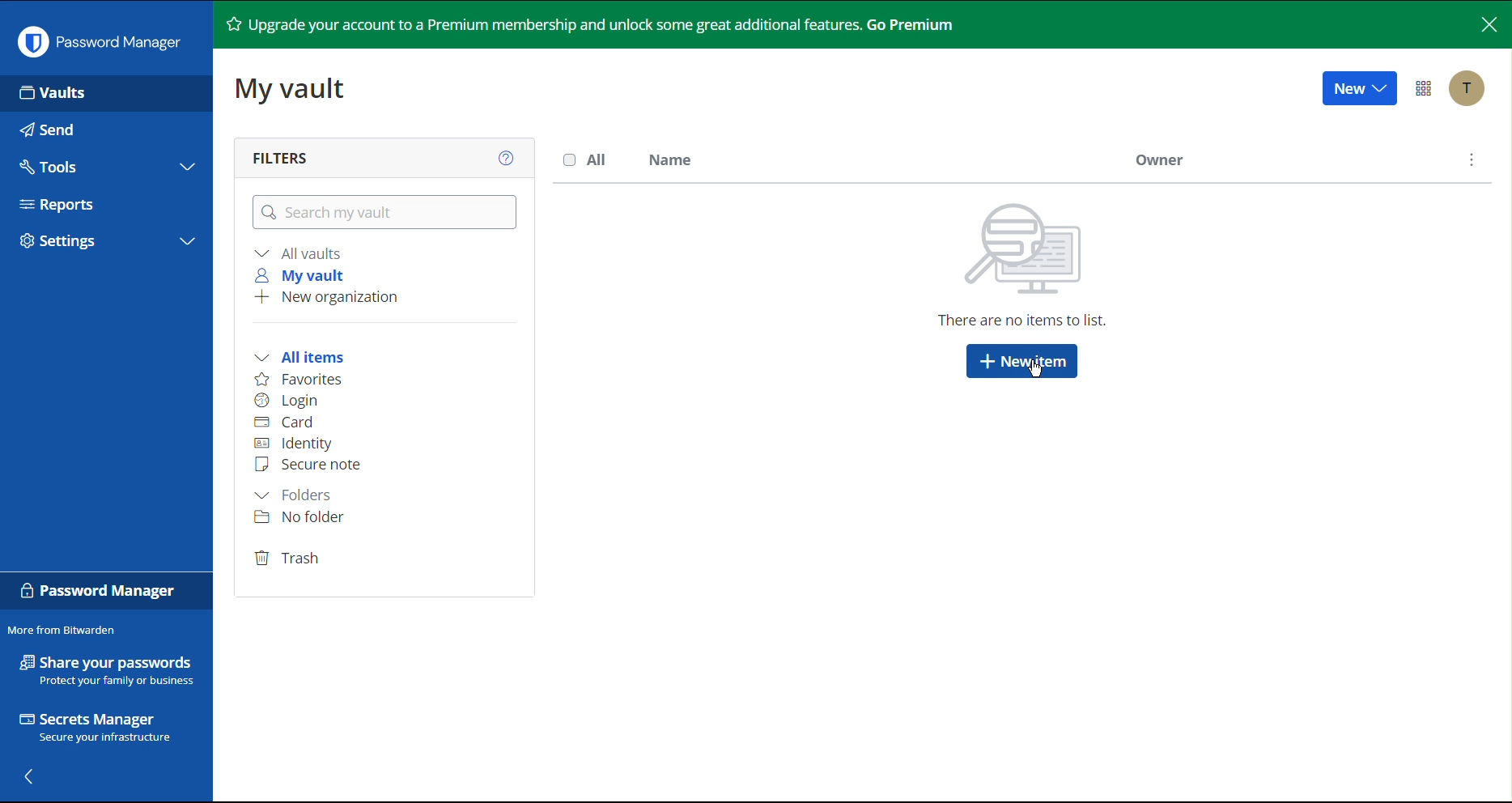 The image size is (1512, 803). I want to click on Password Manager, so click(104, 593).